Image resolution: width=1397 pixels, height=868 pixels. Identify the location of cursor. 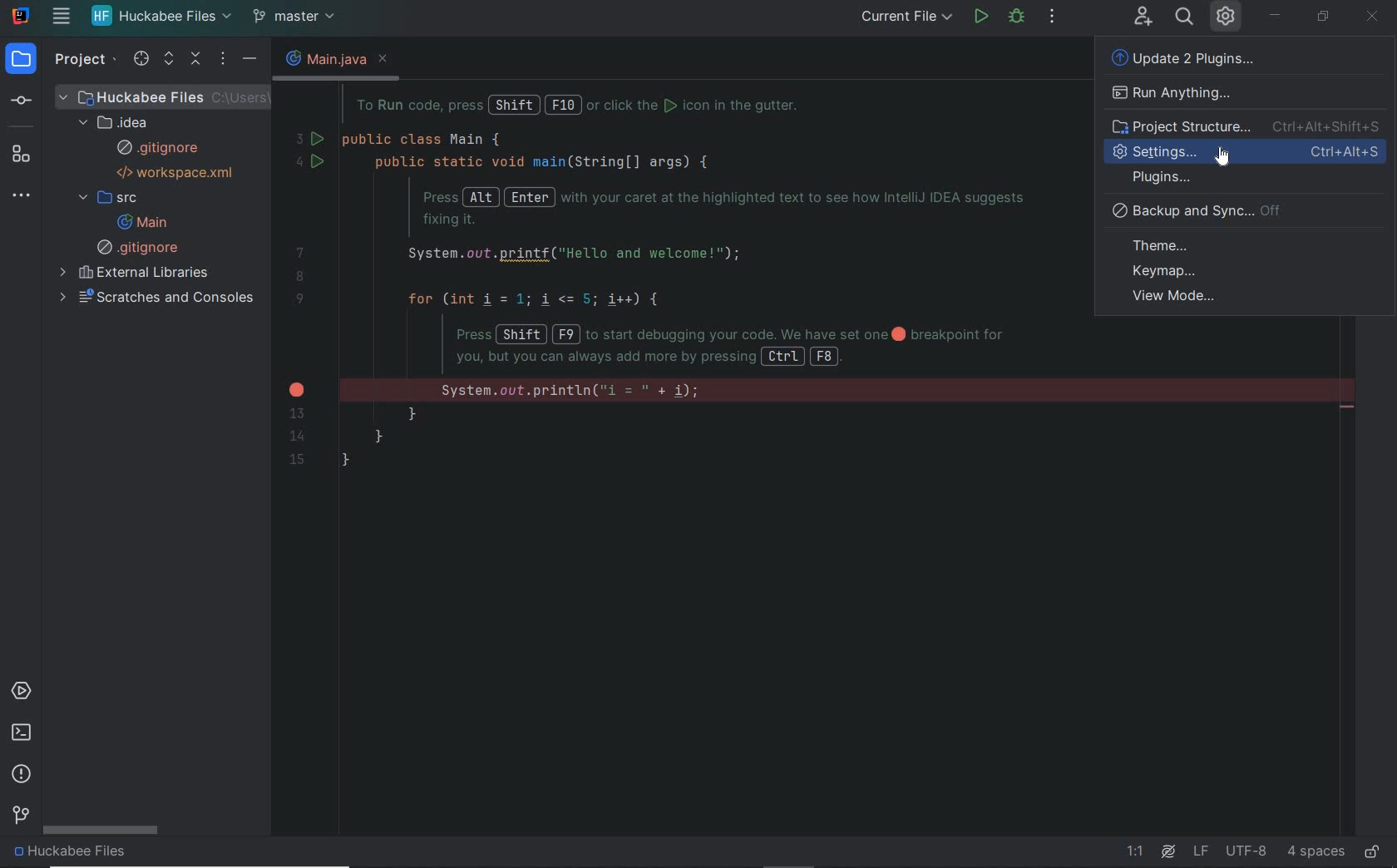
(1226, 155).